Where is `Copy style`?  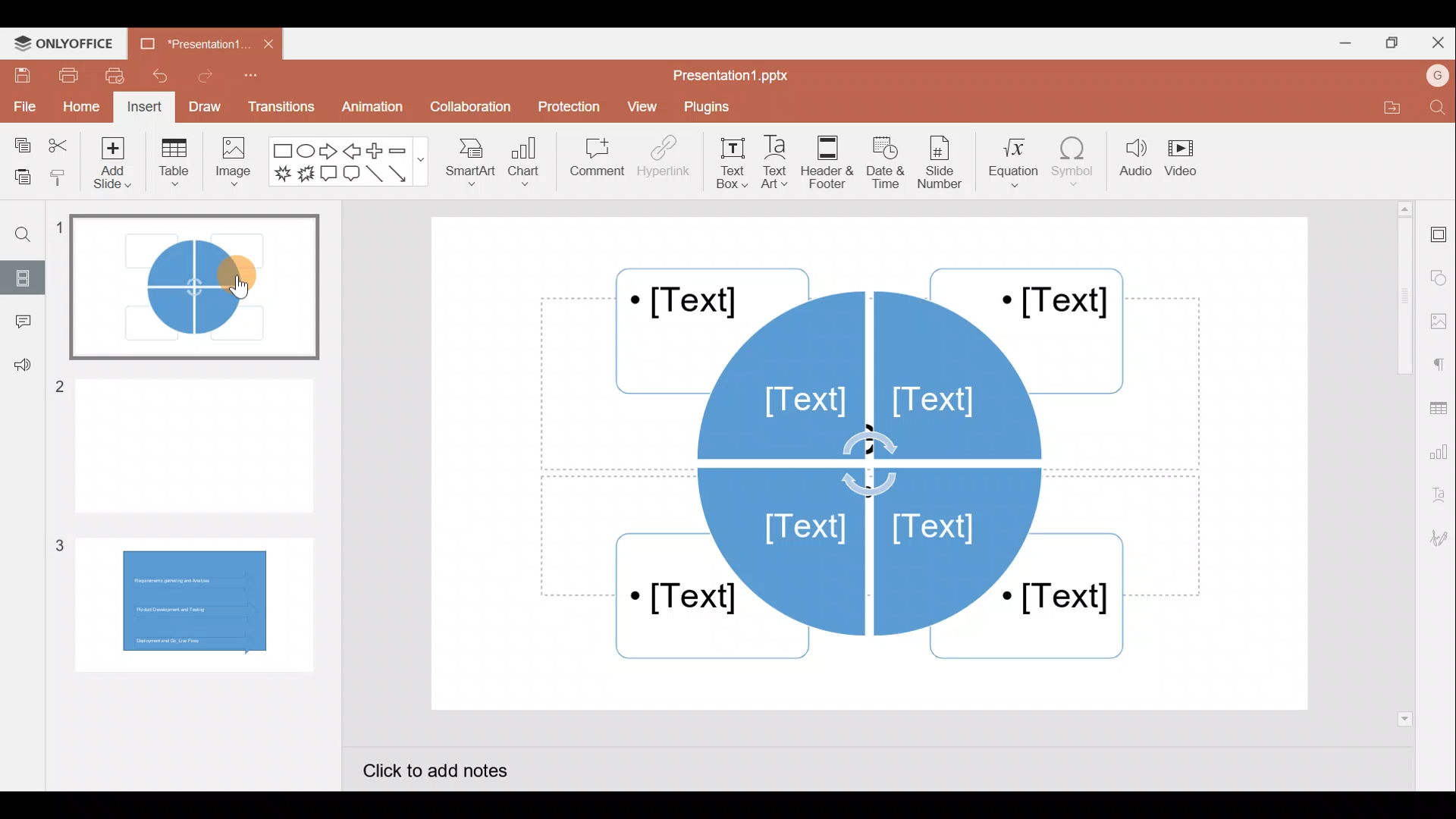
Copy style is located at coordinates (59, 177).